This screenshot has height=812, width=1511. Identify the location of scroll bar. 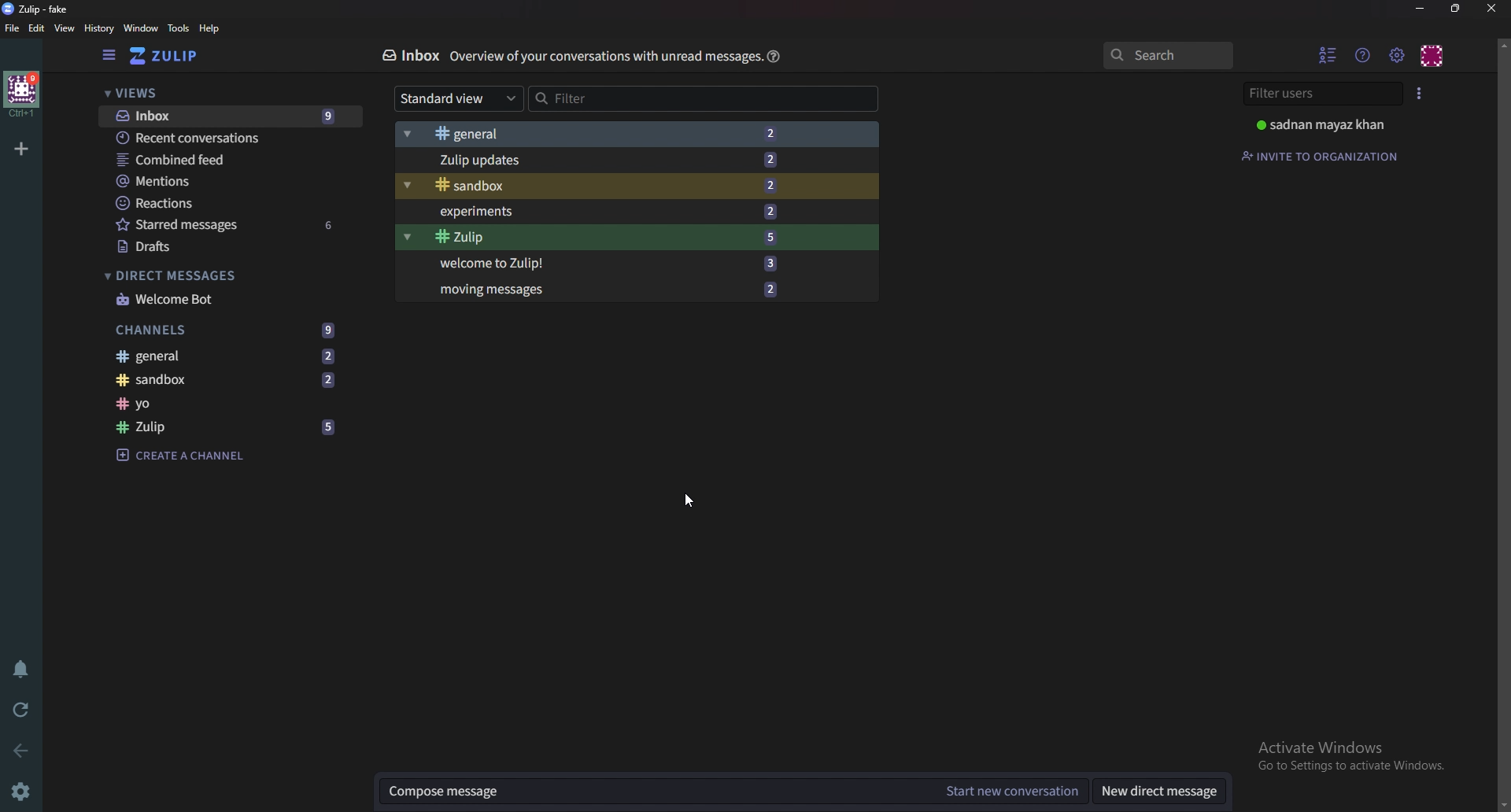
(1503, 423).